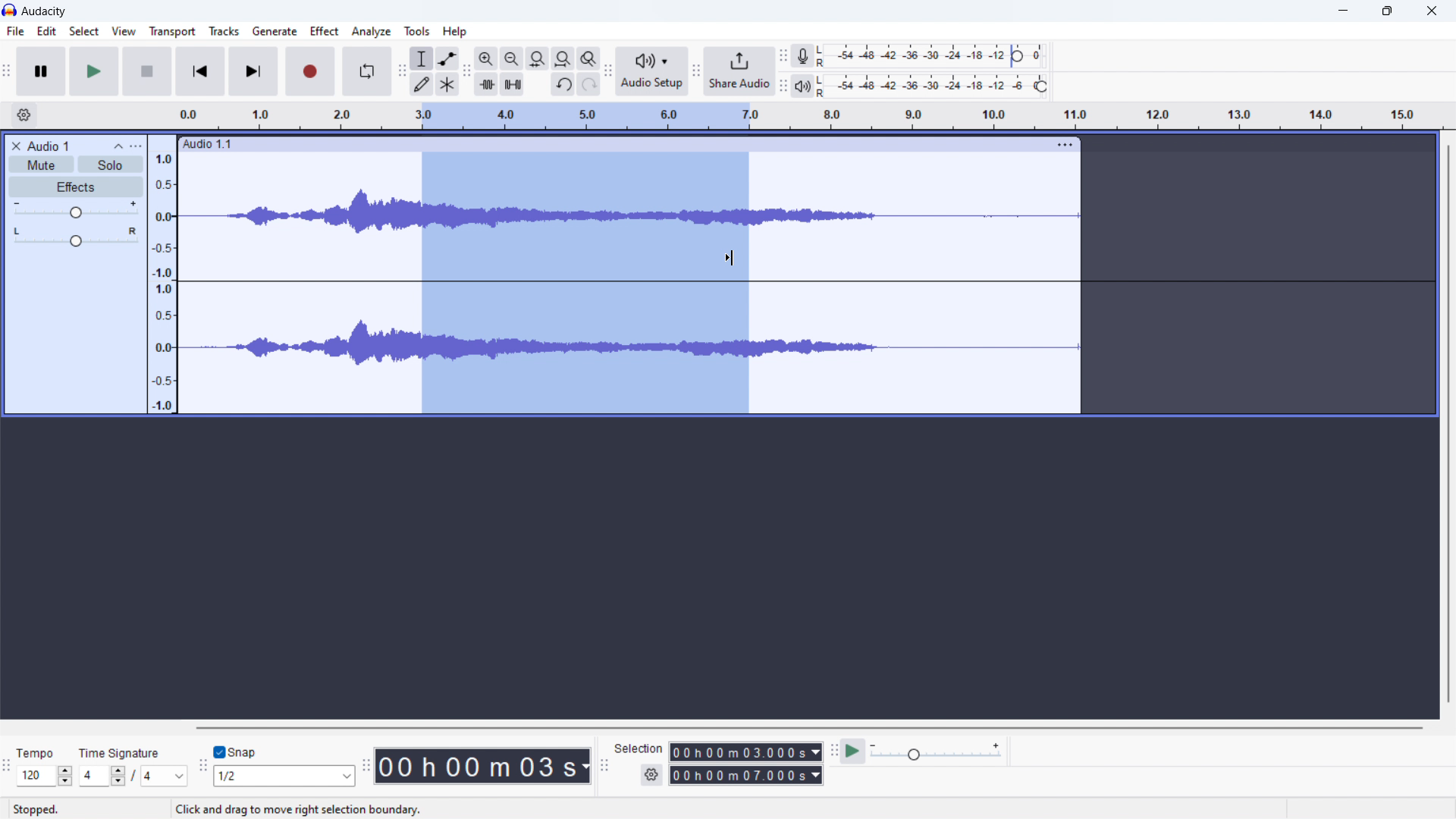 This screenshot has width=1456, height=819. What do you see at coordinates (783, 56) in the screenshot?
I see `recording meter toolbar` at bounding box center [783, 56].